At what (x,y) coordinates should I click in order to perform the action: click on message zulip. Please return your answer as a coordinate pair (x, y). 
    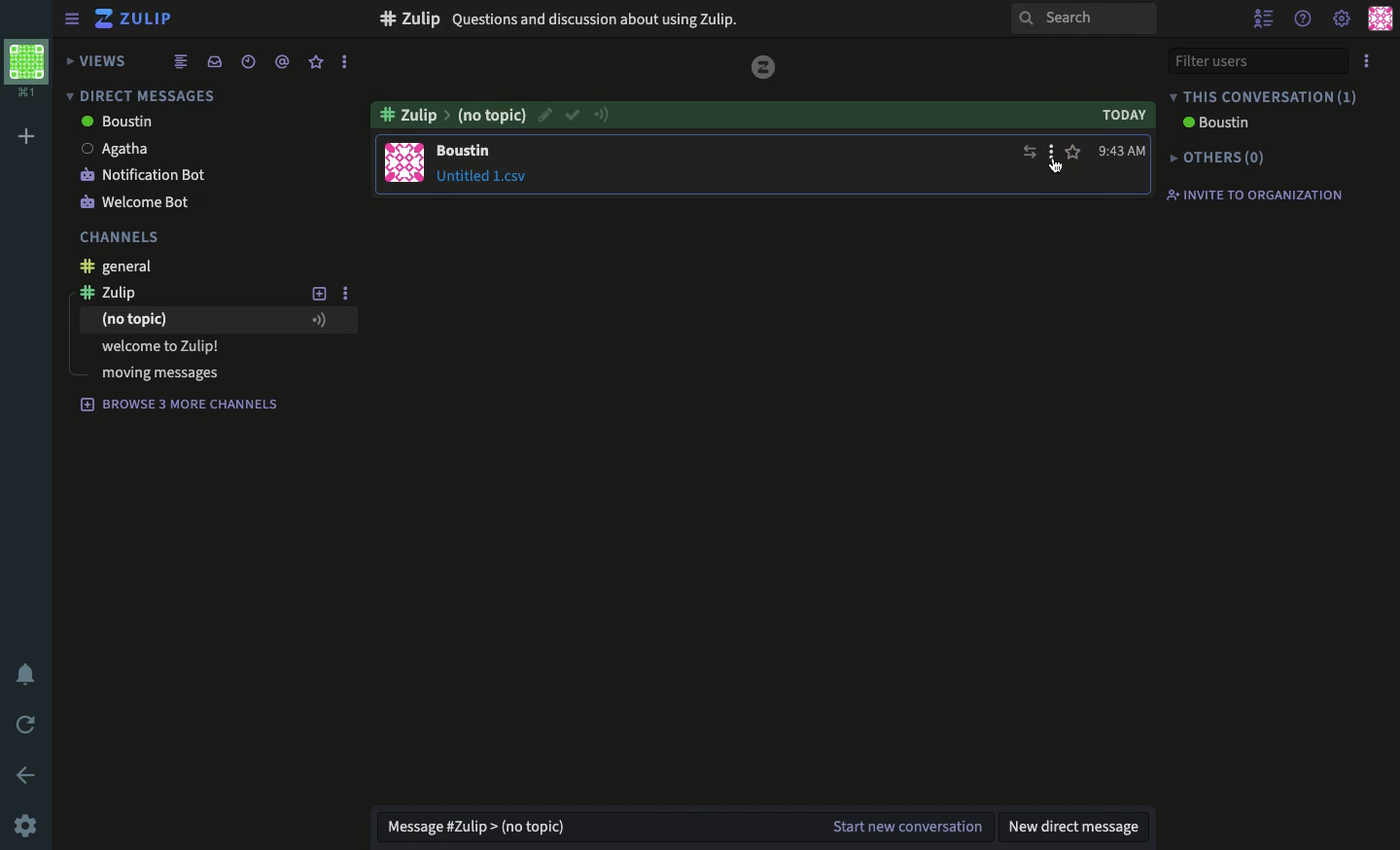
    Looking at the image, I should click on (476, 820).